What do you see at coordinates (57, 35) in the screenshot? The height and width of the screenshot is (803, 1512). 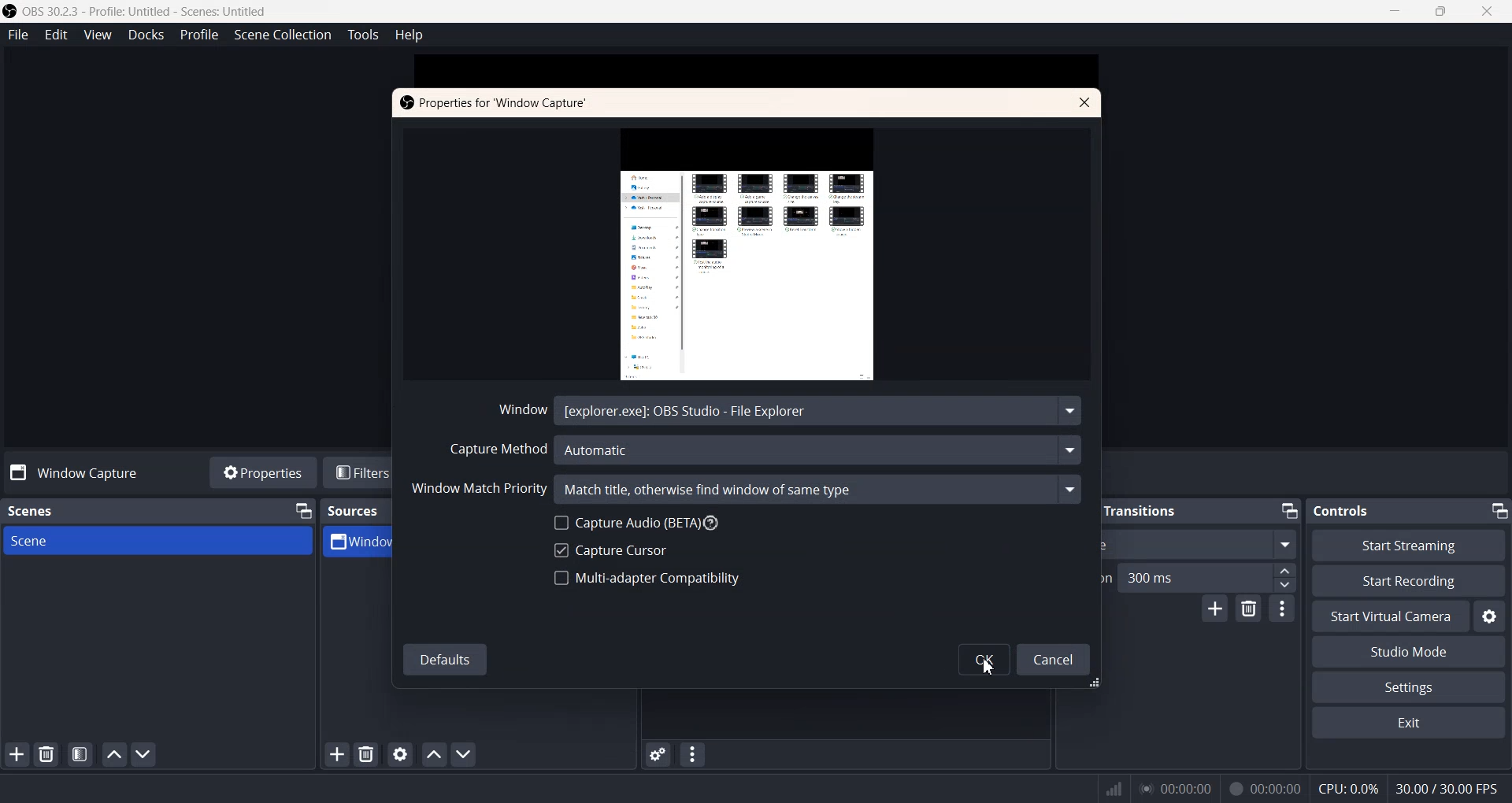 I see `Edit` at bounding box center [57, 35].